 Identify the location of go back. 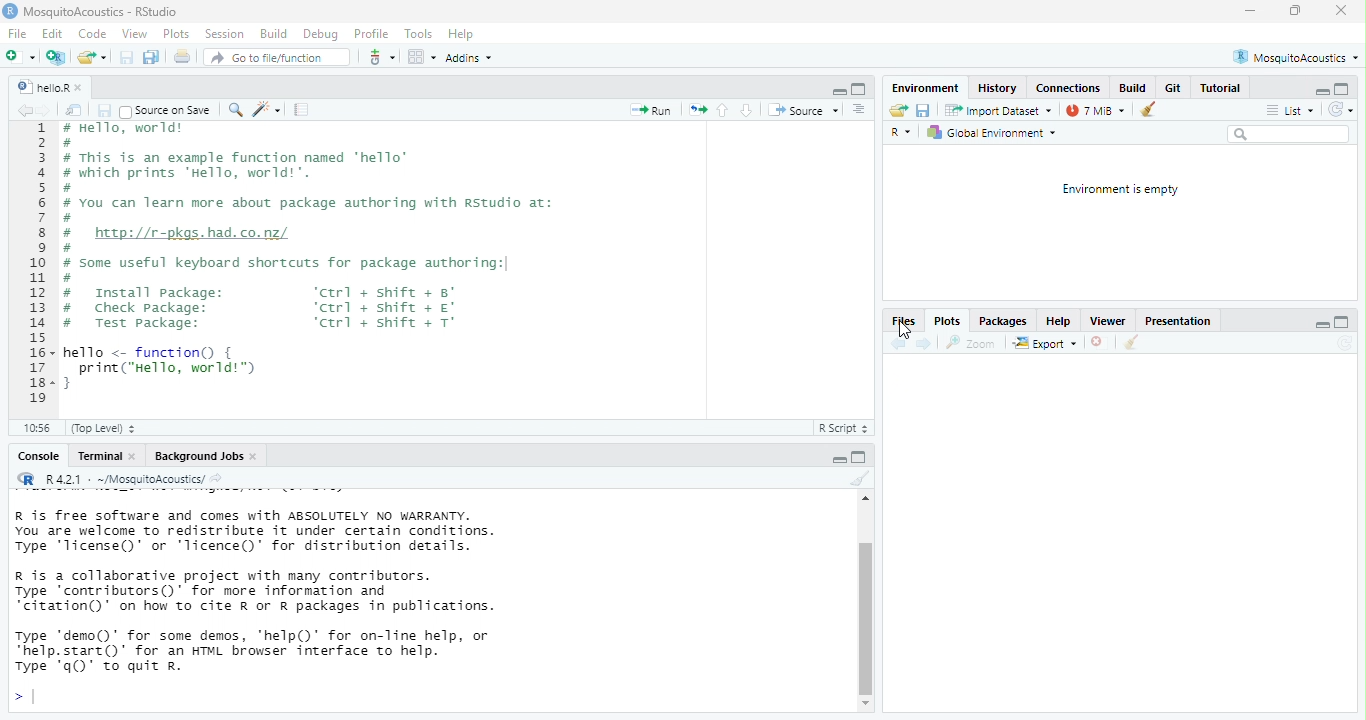
(899, 345).